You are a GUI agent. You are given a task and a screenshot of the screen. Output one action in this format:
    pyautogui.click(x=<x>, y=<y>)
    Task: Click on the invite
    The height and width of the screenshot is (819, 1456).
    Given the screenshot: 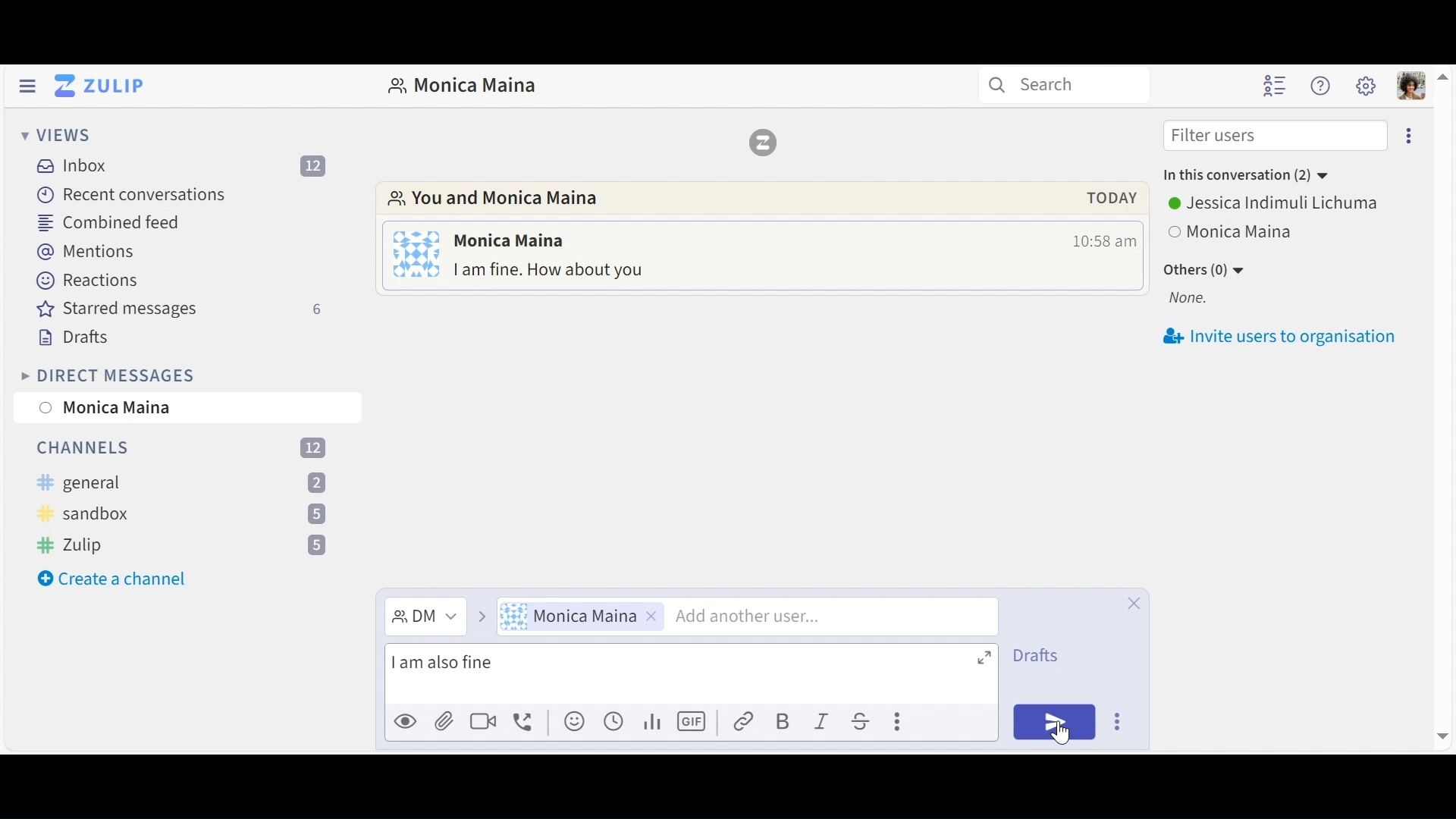 What is the action you would take?
    pyautogui.click(x=1285, y=339)
    